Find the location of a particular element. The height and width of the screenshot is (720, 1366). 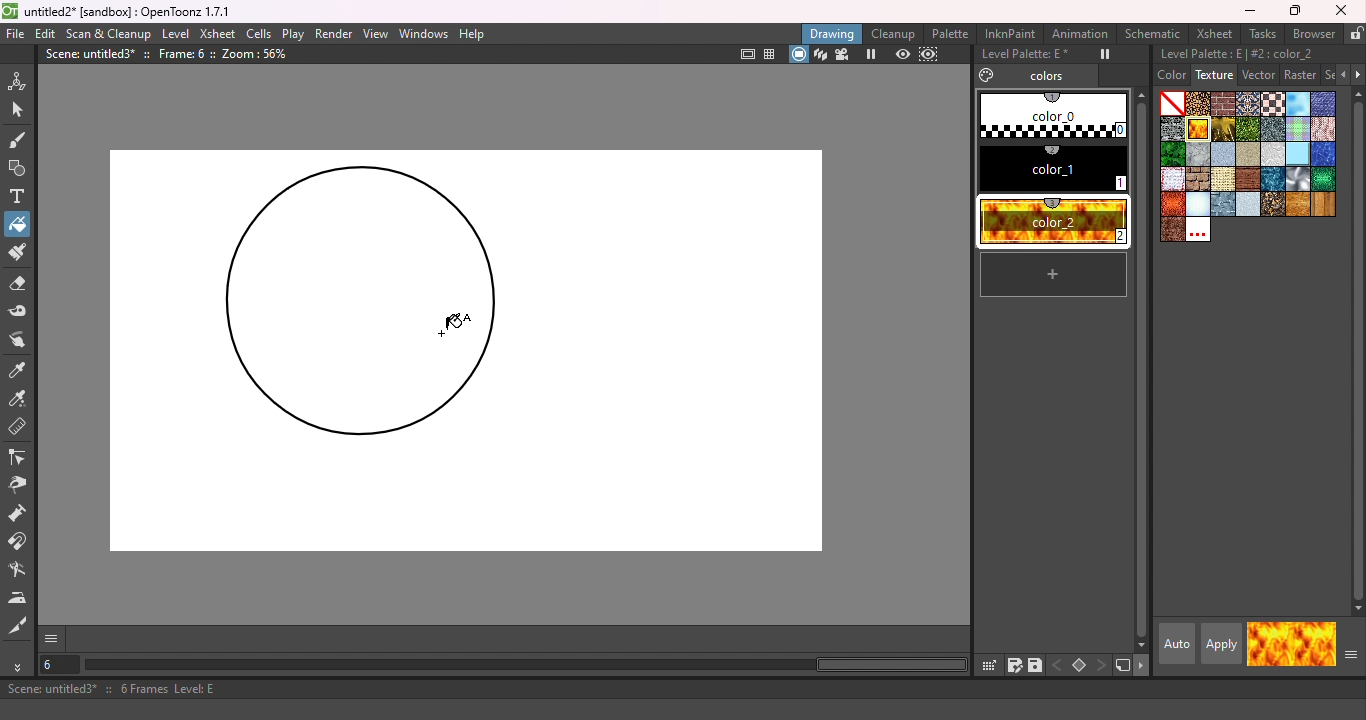

woodplanks.bmp is located at coordinates (1324, 205).